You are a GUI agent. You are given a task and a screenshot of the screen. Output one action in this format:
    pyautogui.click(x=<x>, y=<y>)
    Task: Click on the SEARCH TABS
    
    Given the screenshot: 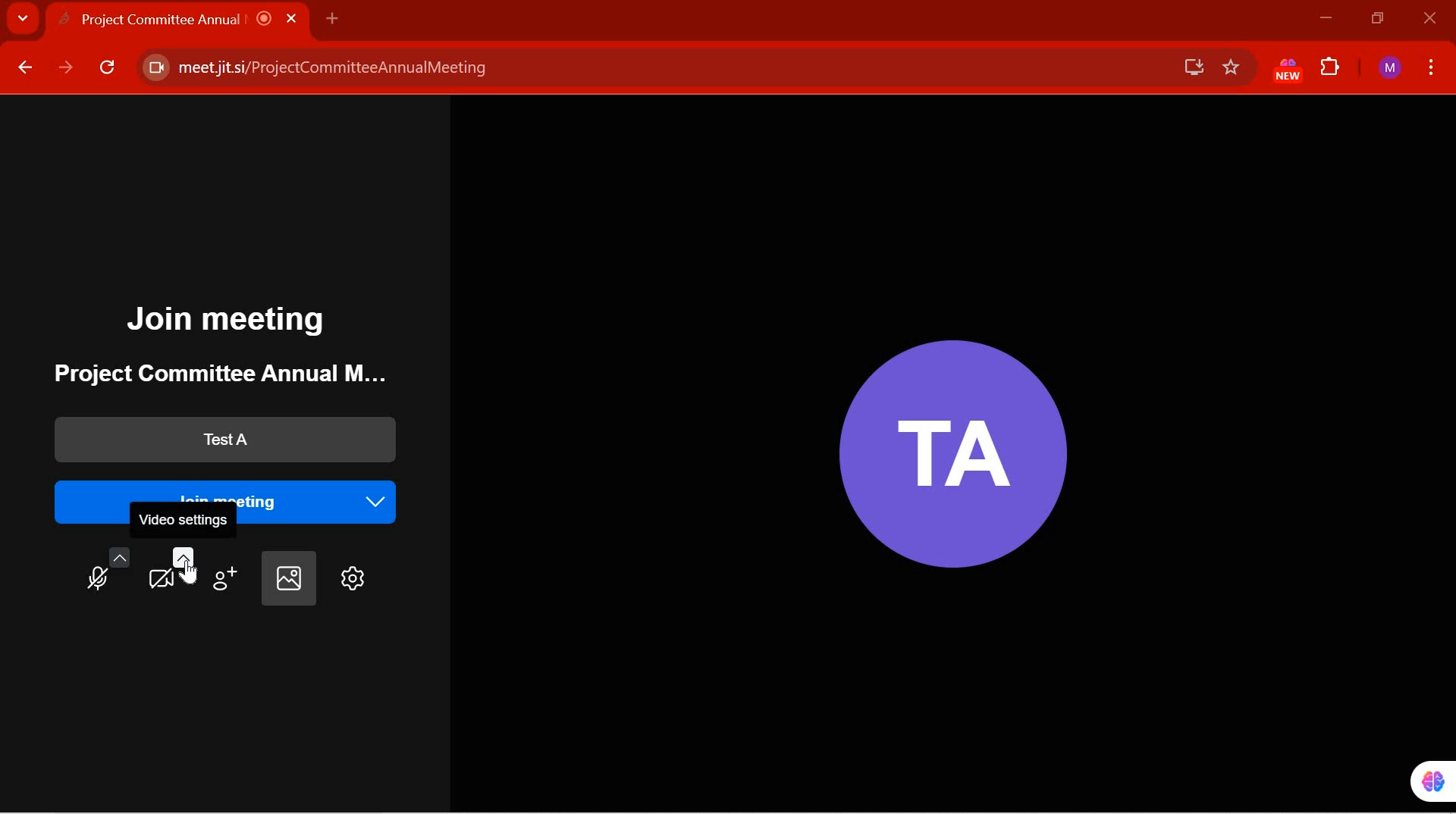 What is the action you would take?
    pyautogui.click(x=23, y=20)
    